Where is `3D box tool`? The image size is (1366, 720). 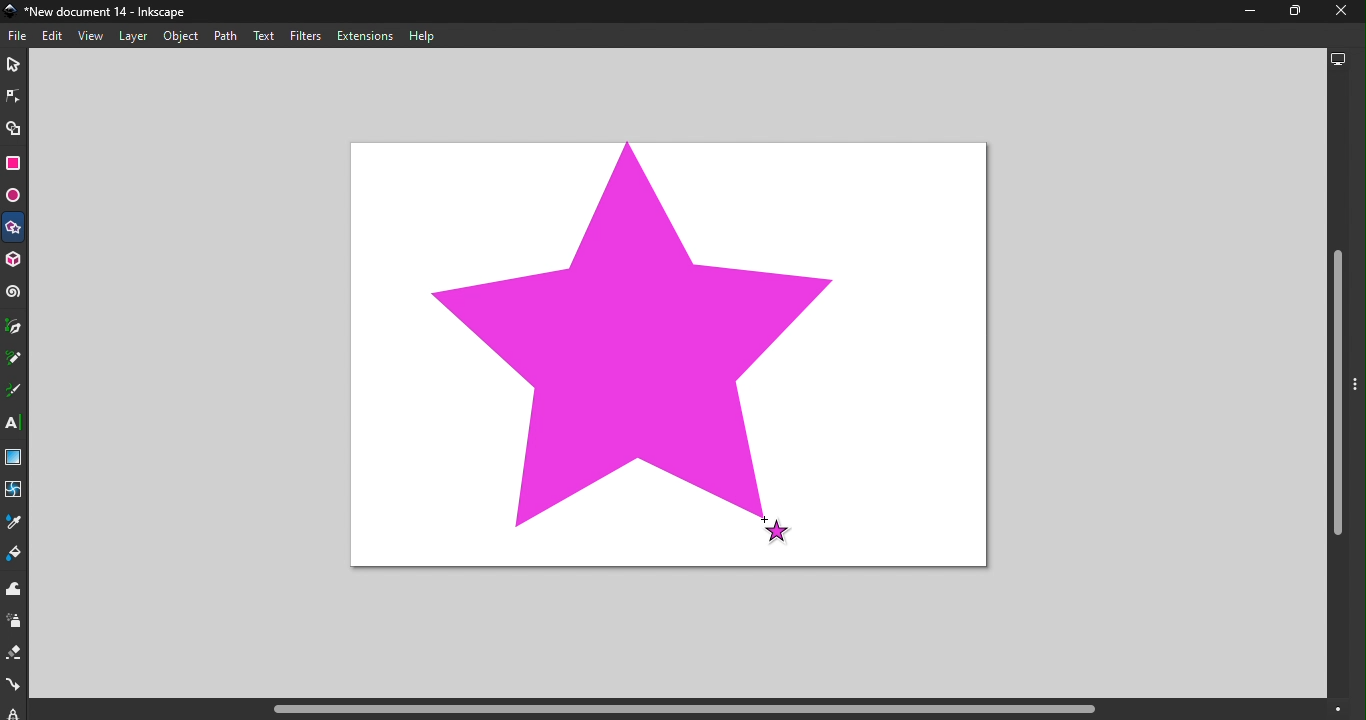
3D box tool is located at coordinates (15, 262).